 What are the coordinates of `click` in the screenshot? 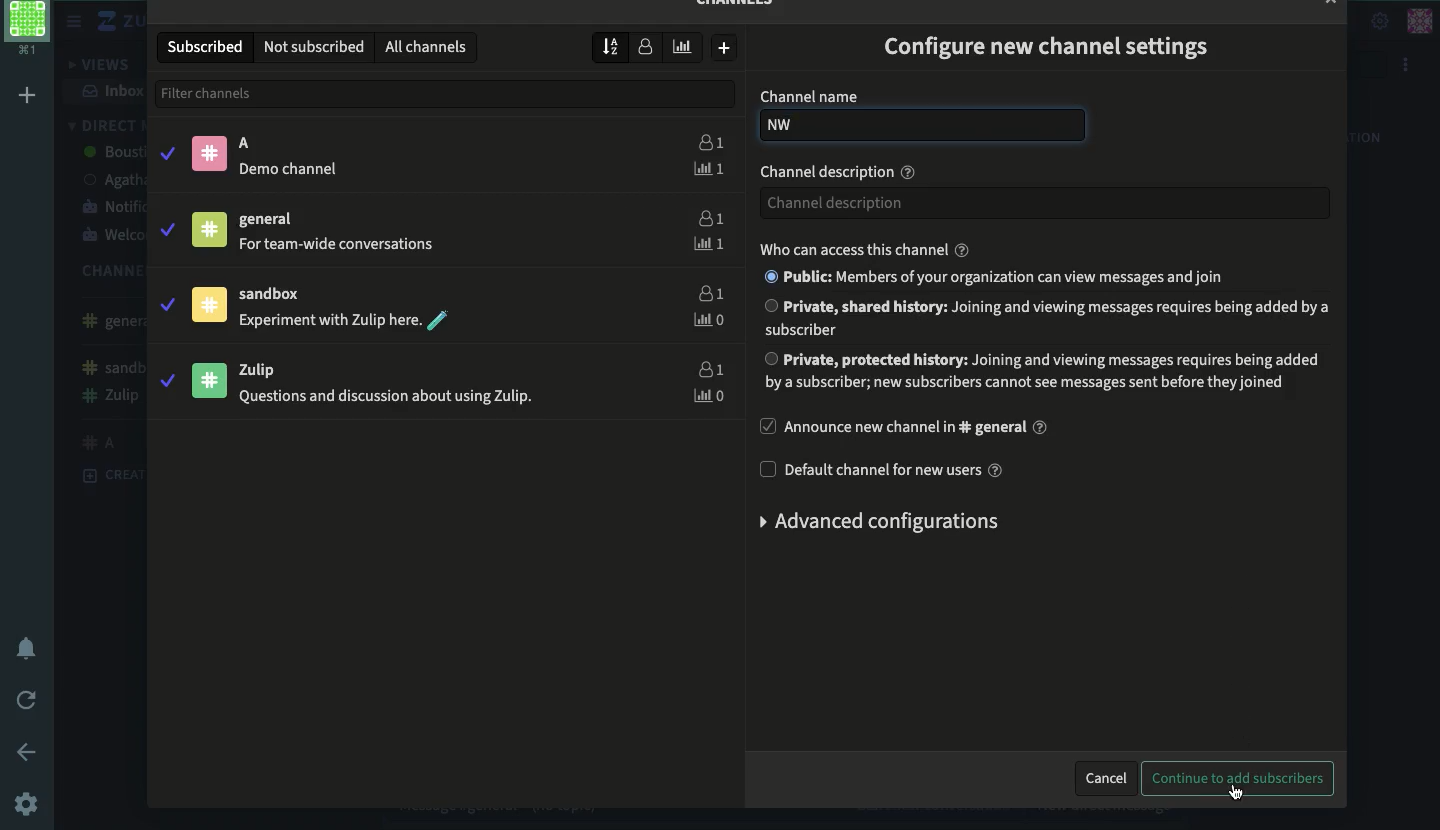 It's located at (1237, 791).